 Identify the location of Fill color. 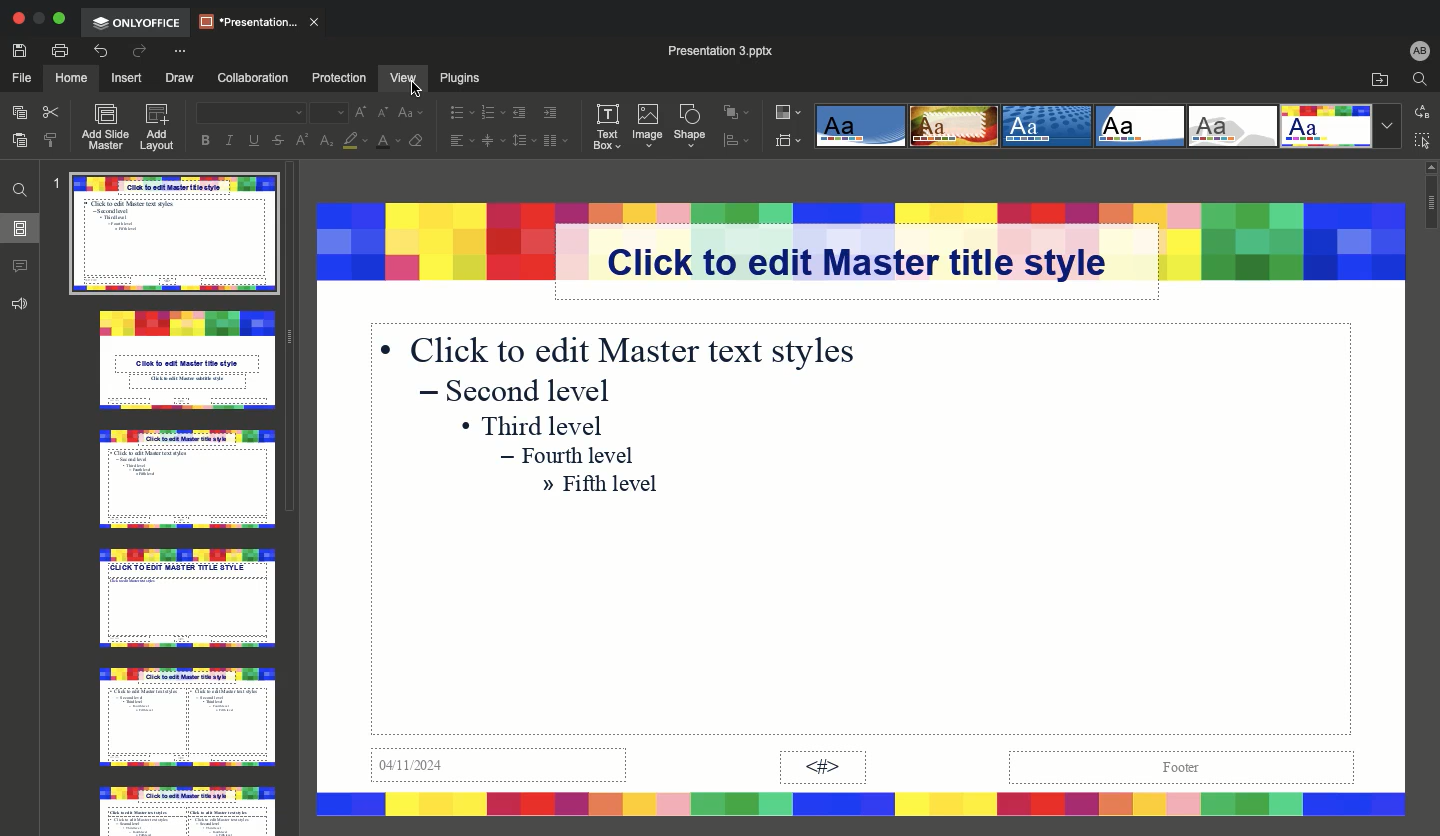
(351, 142).